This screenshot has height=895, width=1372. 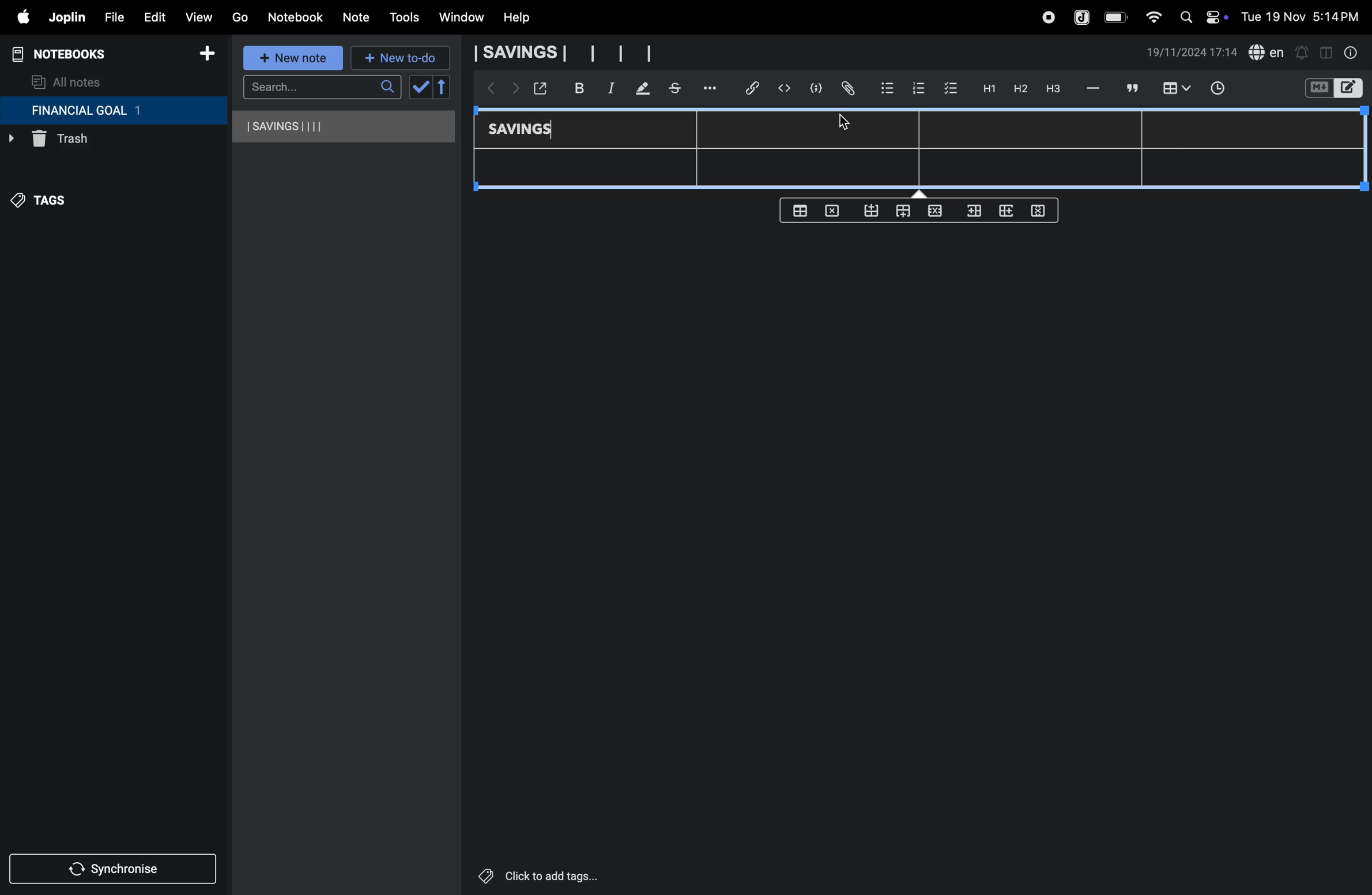 I want to click on file, so click(x=110, y=16).